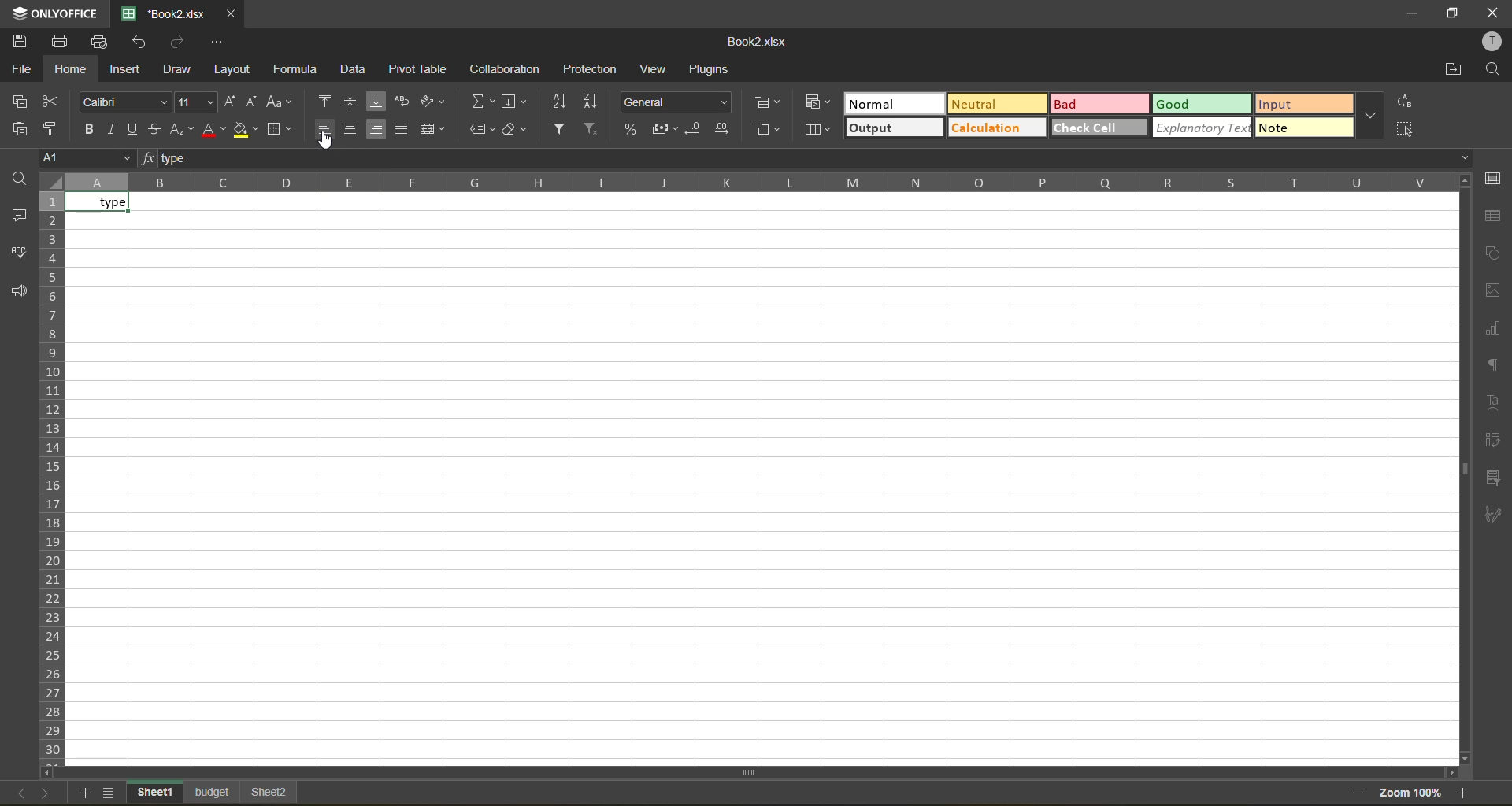  What do you see at coordinates (52, 104) in the screenshot?
I see `cut` at bounding box center [52, 104].